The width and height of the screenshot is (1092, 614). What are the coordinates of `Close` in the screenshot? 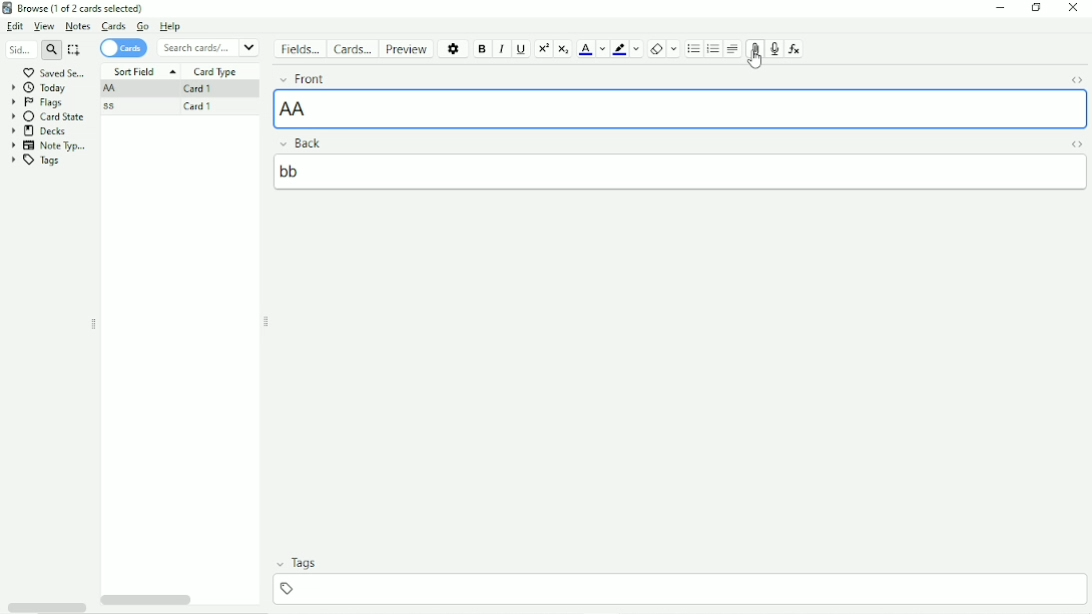 It's located at (1074, 9).